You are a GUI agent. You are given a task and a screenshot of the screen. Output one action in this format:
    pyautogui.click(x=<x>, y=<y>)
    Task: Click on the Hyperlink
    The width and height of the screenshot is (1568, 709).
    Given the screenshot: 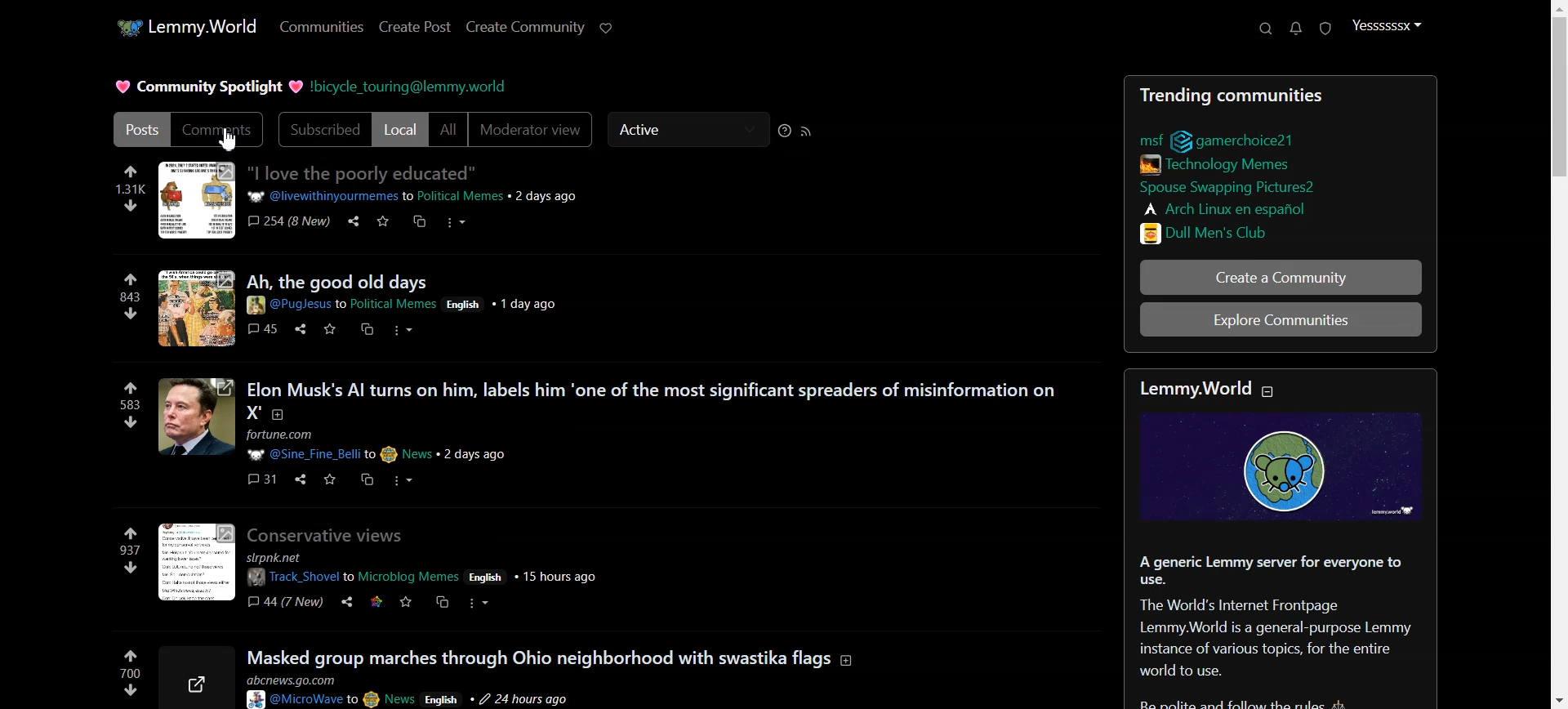 What is the action you would take?
    pyautogui.click(x=415, y=87)
    